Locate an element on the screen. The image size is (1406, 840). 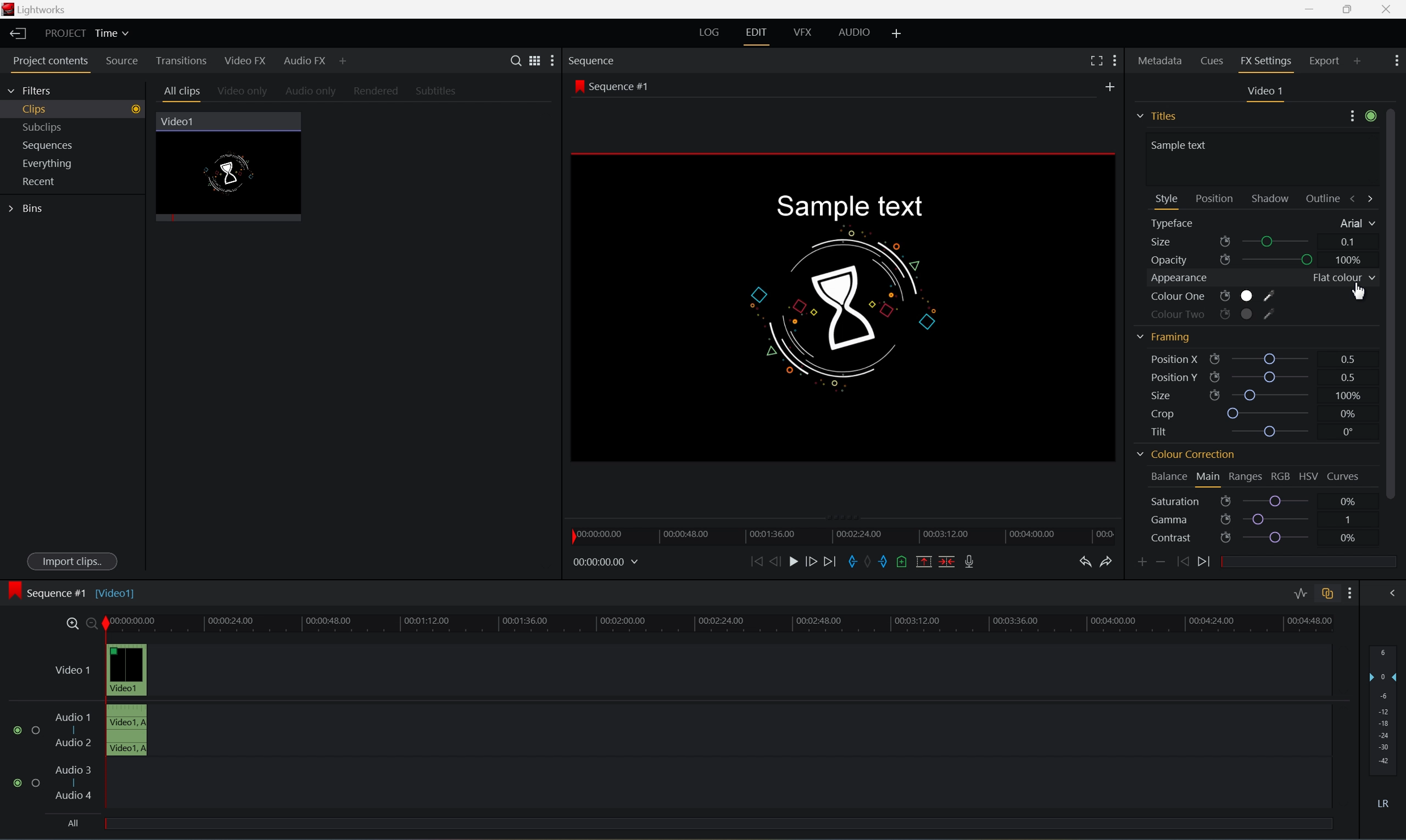
projects controls is located at coordinates (54, 62).